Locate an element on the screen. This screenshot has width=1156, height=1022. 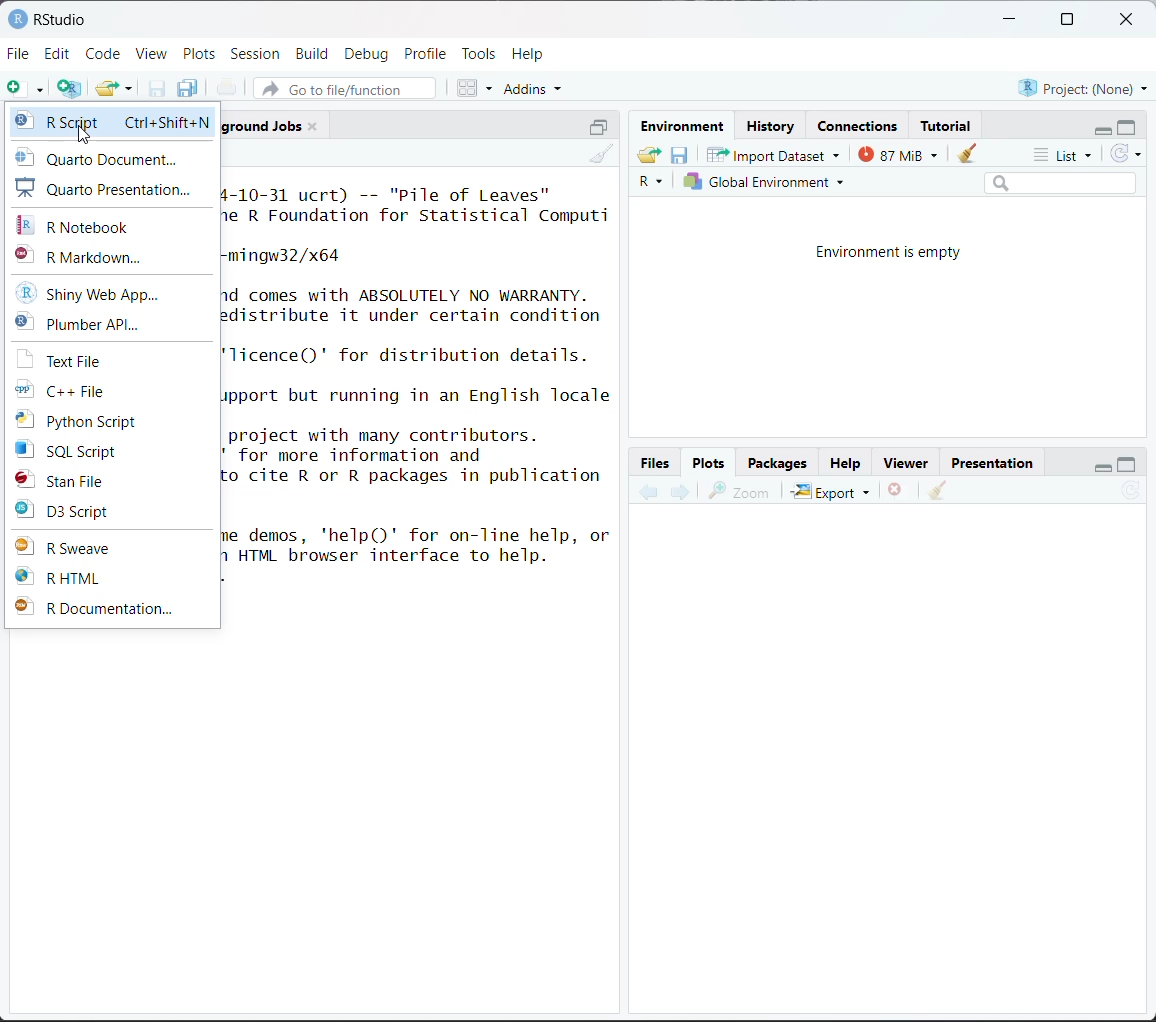
Presentation is located at coordinates (993, 464).